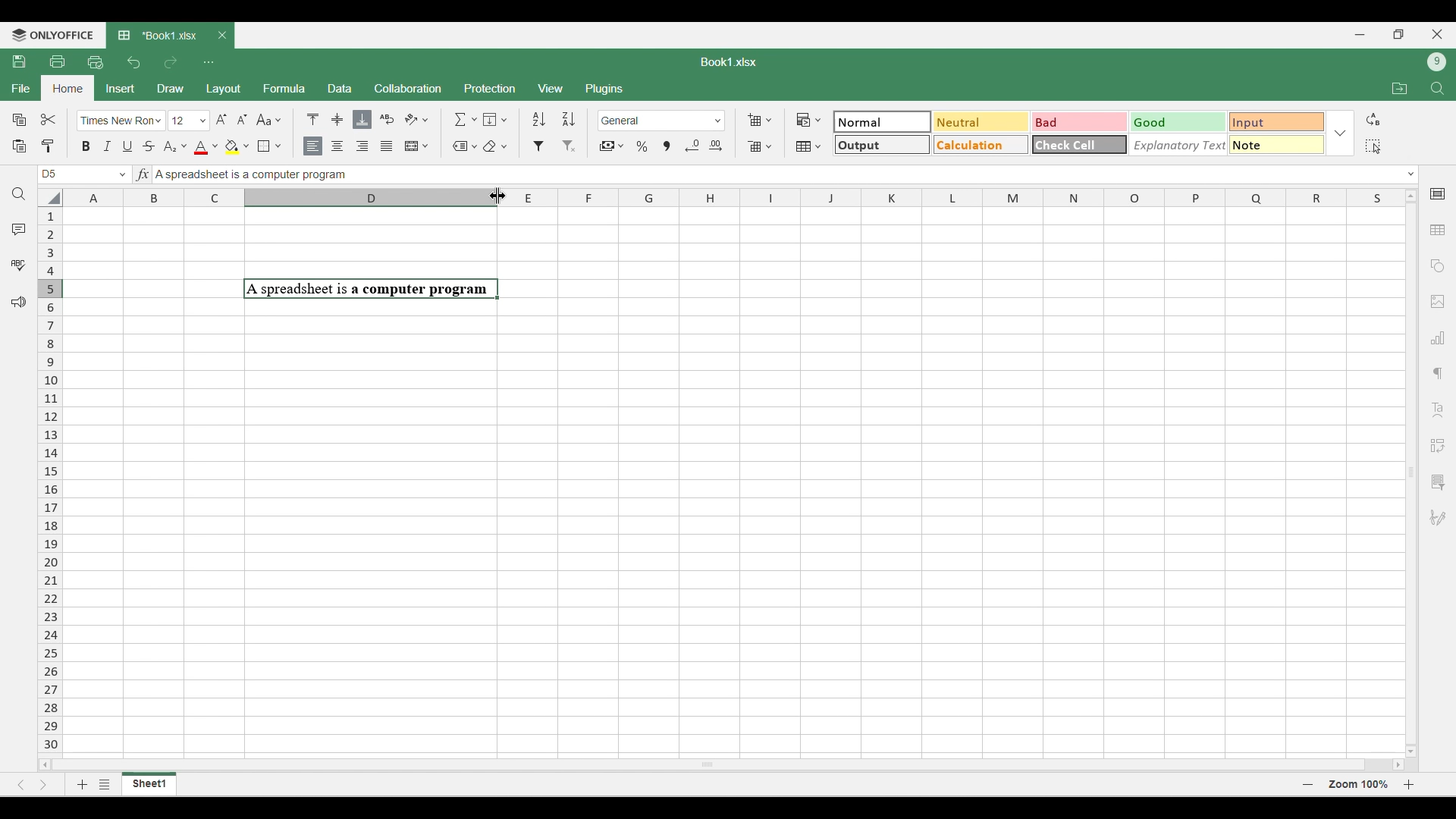  Describe the element at coordinates (1439, 231) in the screenshot. I see `Insert table` at that location.